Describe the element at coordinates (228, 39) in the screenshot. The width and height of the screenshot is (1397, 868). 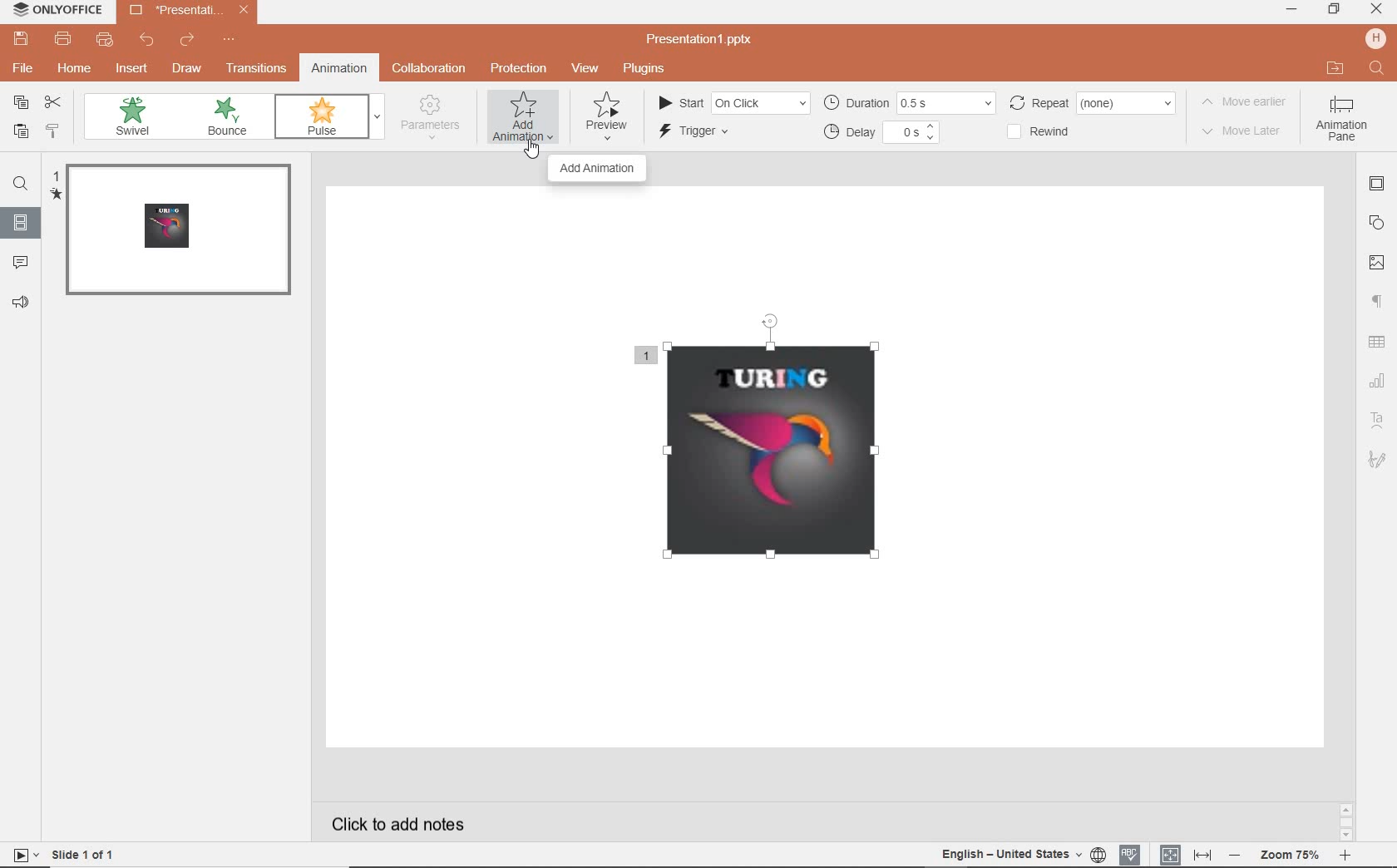
I see `customize quick access toolbar` at that location.